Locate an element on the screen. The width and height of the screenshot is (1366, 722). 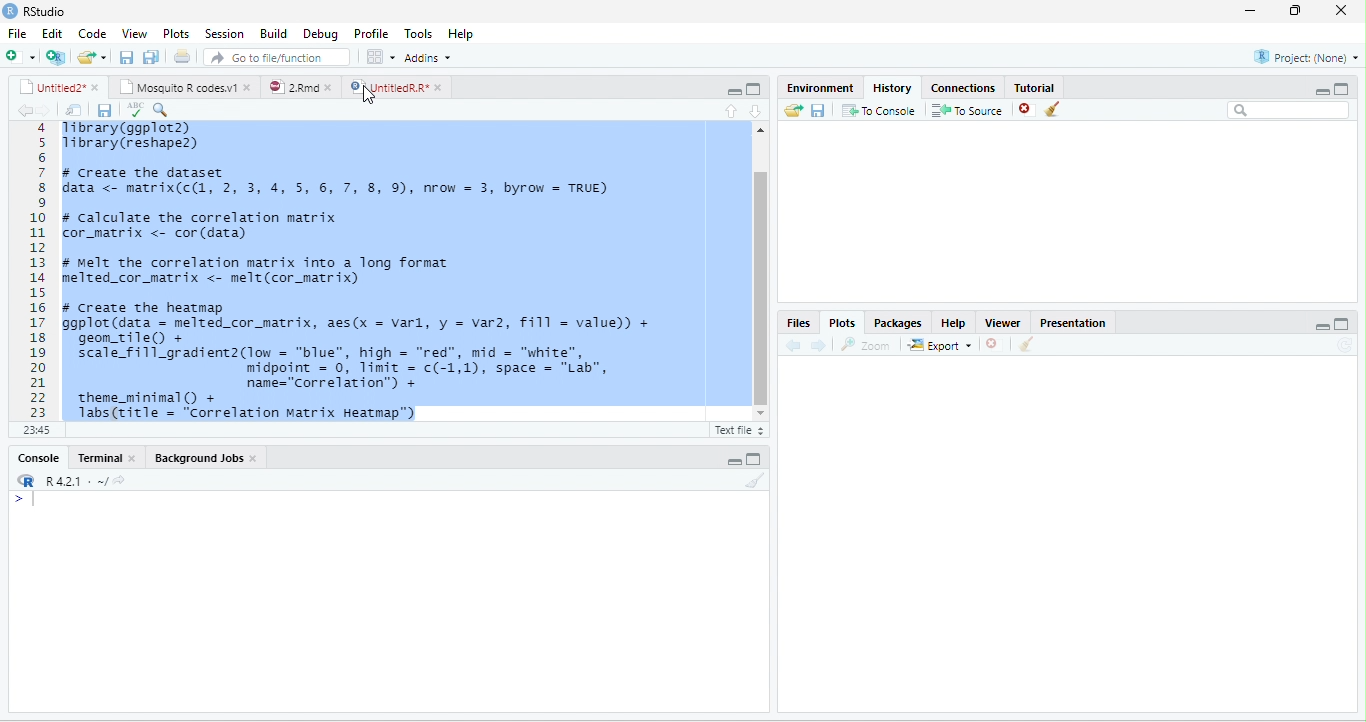
top level is located at coordinates (118, 432).